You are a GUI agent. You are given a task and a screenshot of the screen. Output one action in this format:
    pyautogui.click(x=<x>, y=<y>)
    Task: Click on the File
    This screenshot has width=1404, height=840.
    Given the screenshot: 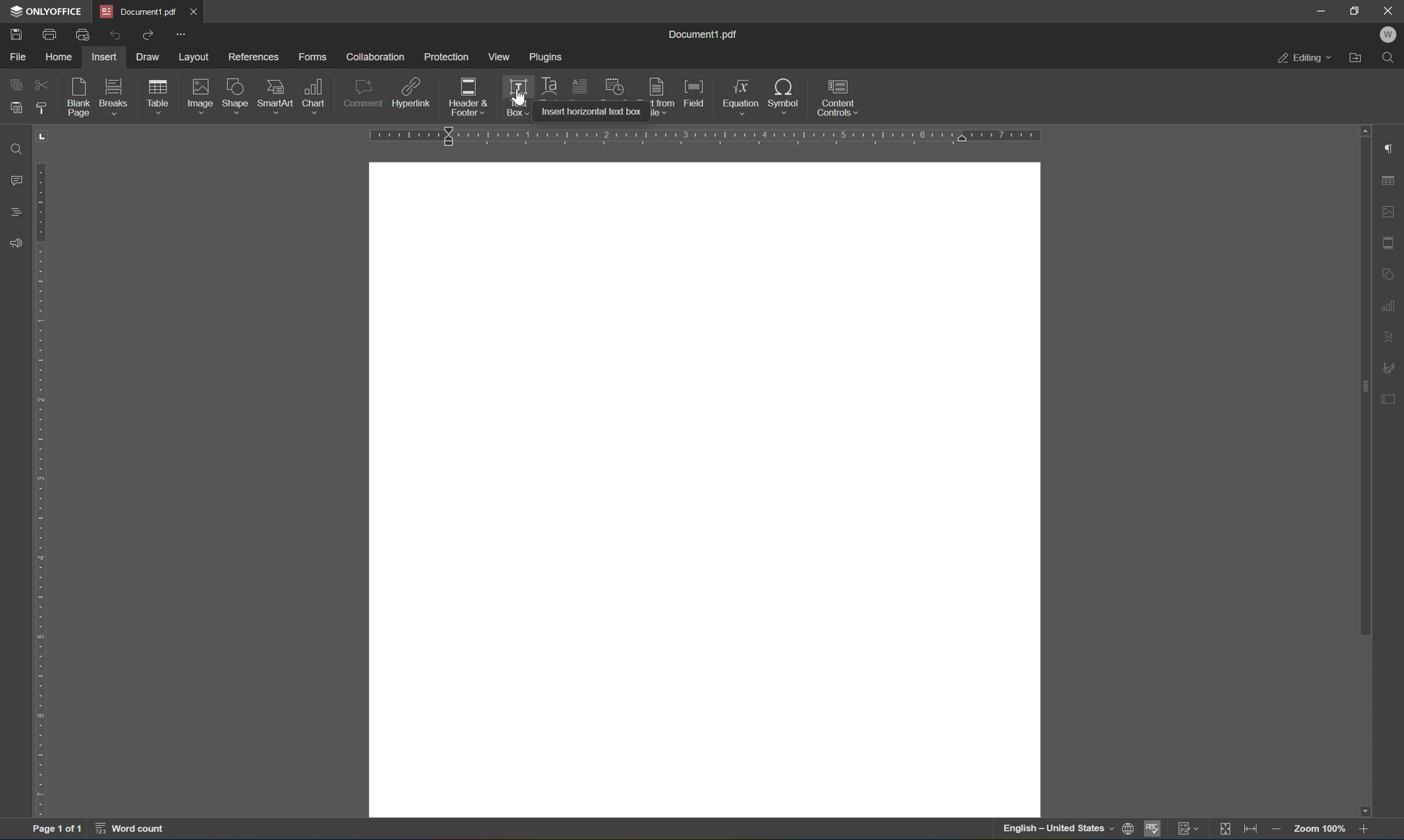 What is the action you would take?
    pyautogui.click(x=19, y=58)
    